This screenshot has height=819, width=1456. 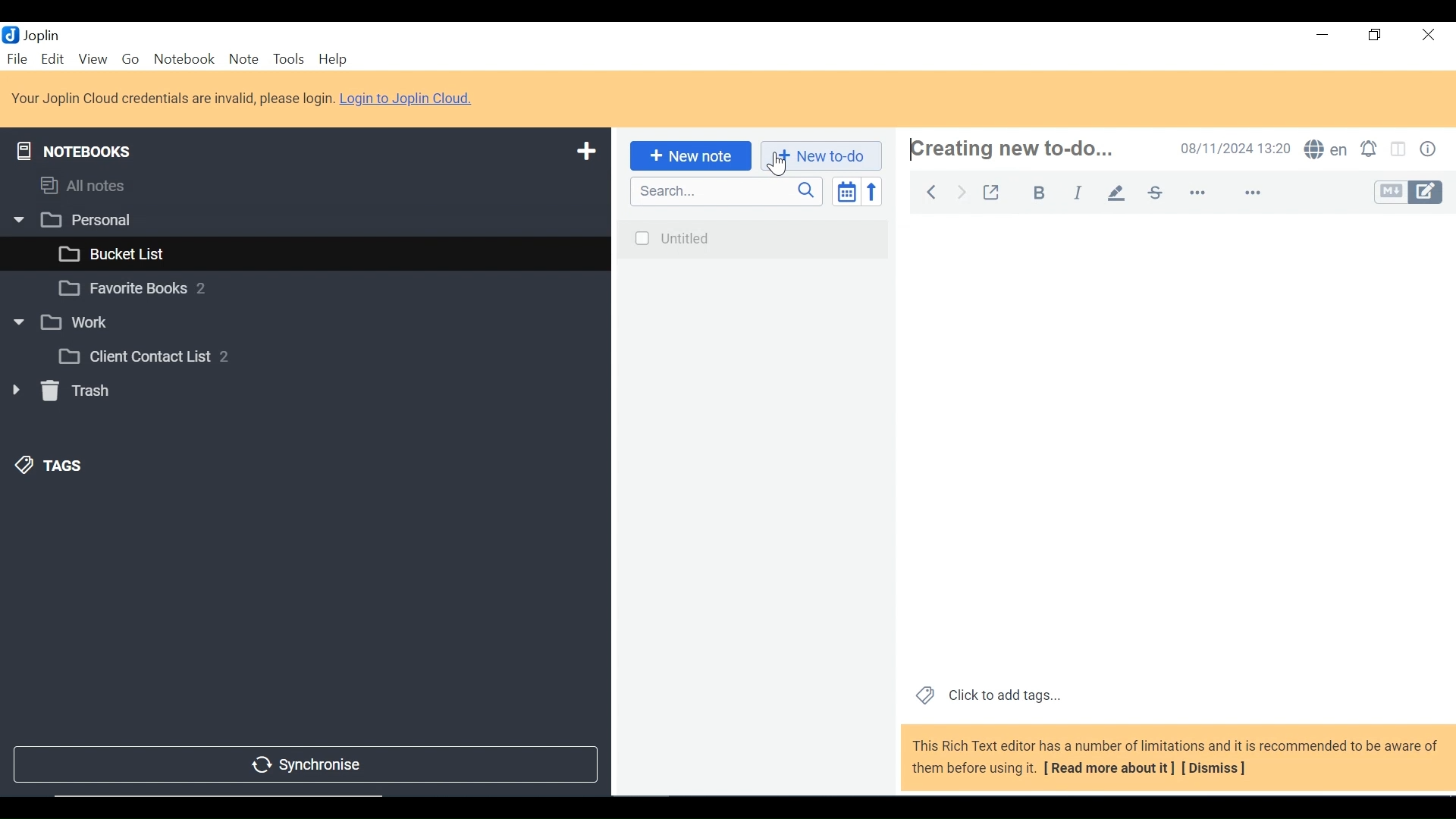 What do you see at coordinates (962, 190) in the screenshot?
I see `Forward` at bounding box center [962, 190].